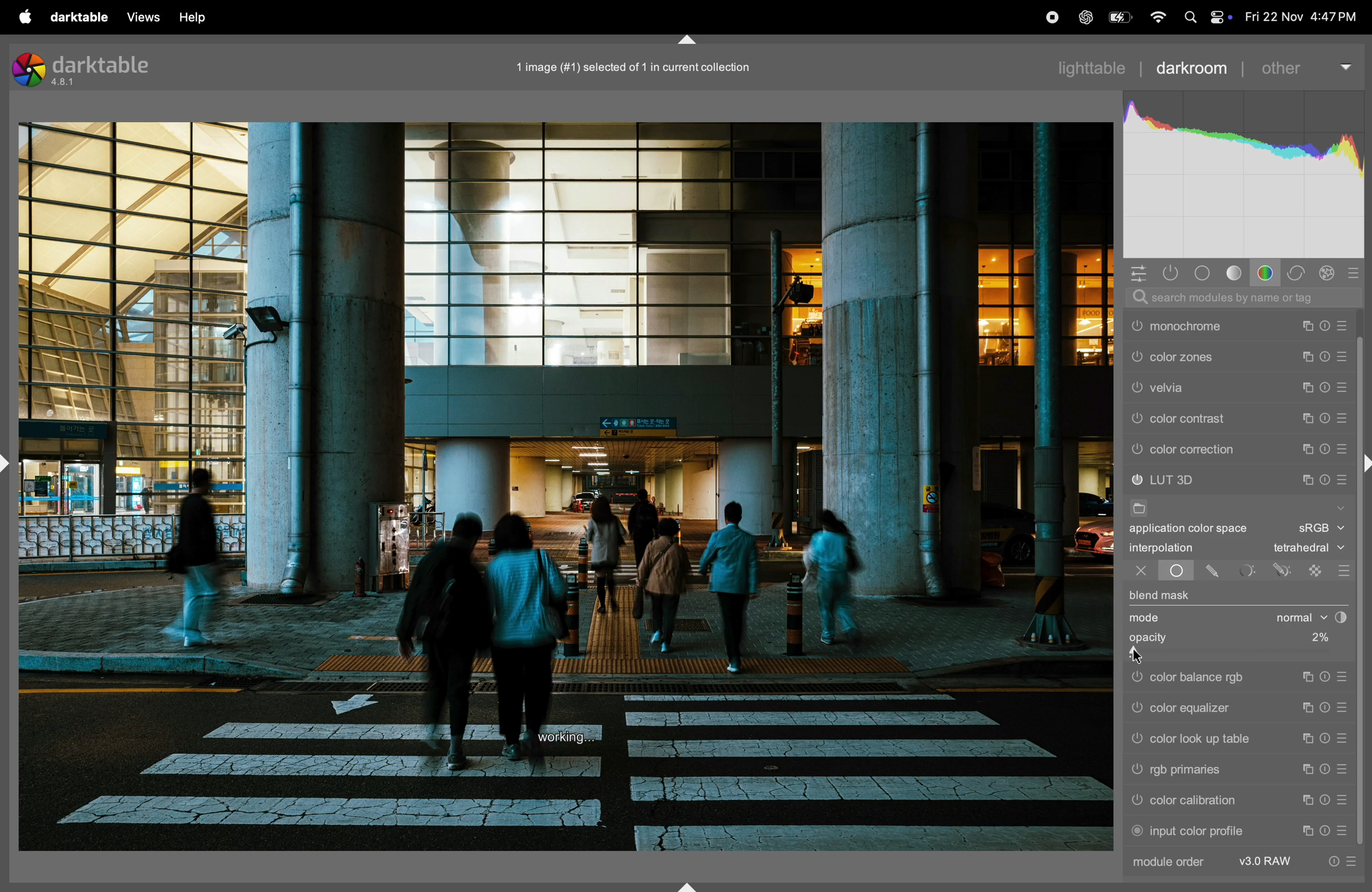 The image size is (1372, 892). Describe the element at coordinates (1344, 675) in the screenshot. I see `presets` at that location.